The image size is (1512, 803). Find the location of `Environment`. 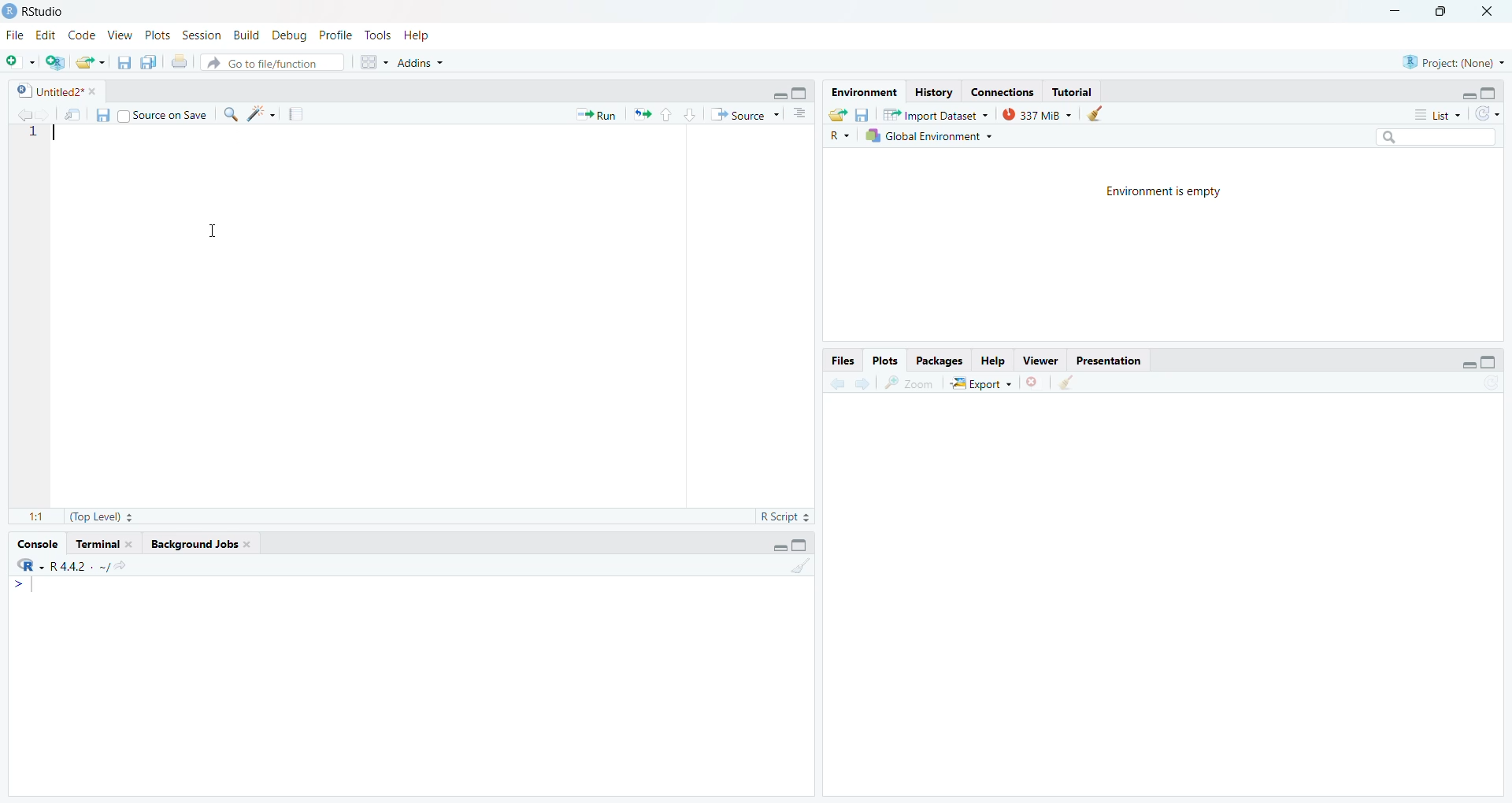

Environment is located at coordinates (861, 92).